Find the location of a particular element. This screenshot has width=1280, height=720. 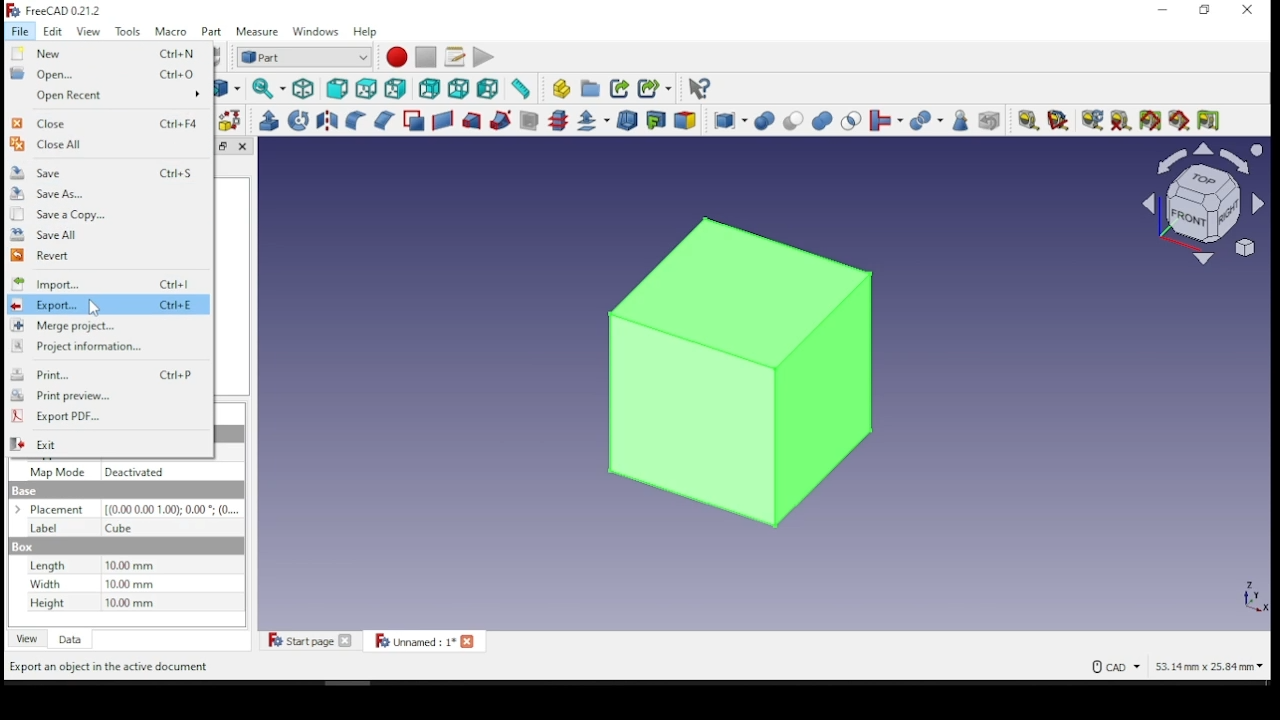

bottom is located at coordinates (458, 89).